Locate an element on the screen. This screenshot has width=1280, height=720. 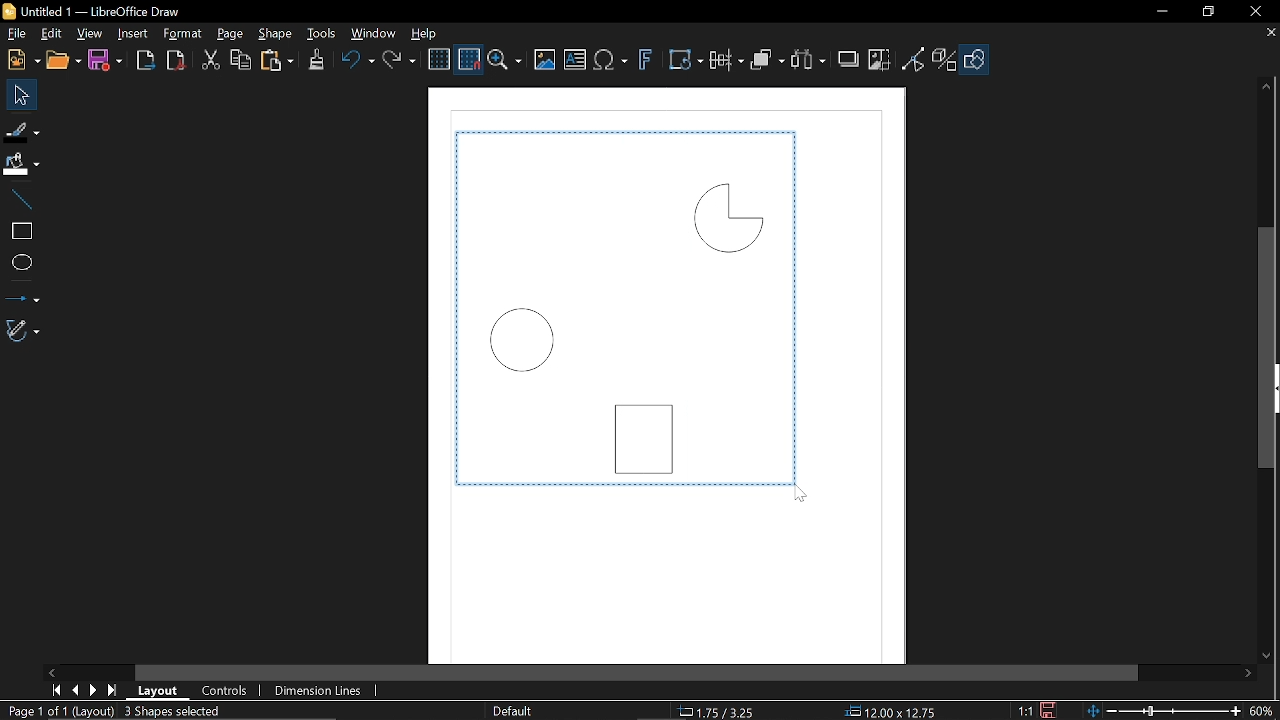
Close tab is located at coordinates (1287, 34).